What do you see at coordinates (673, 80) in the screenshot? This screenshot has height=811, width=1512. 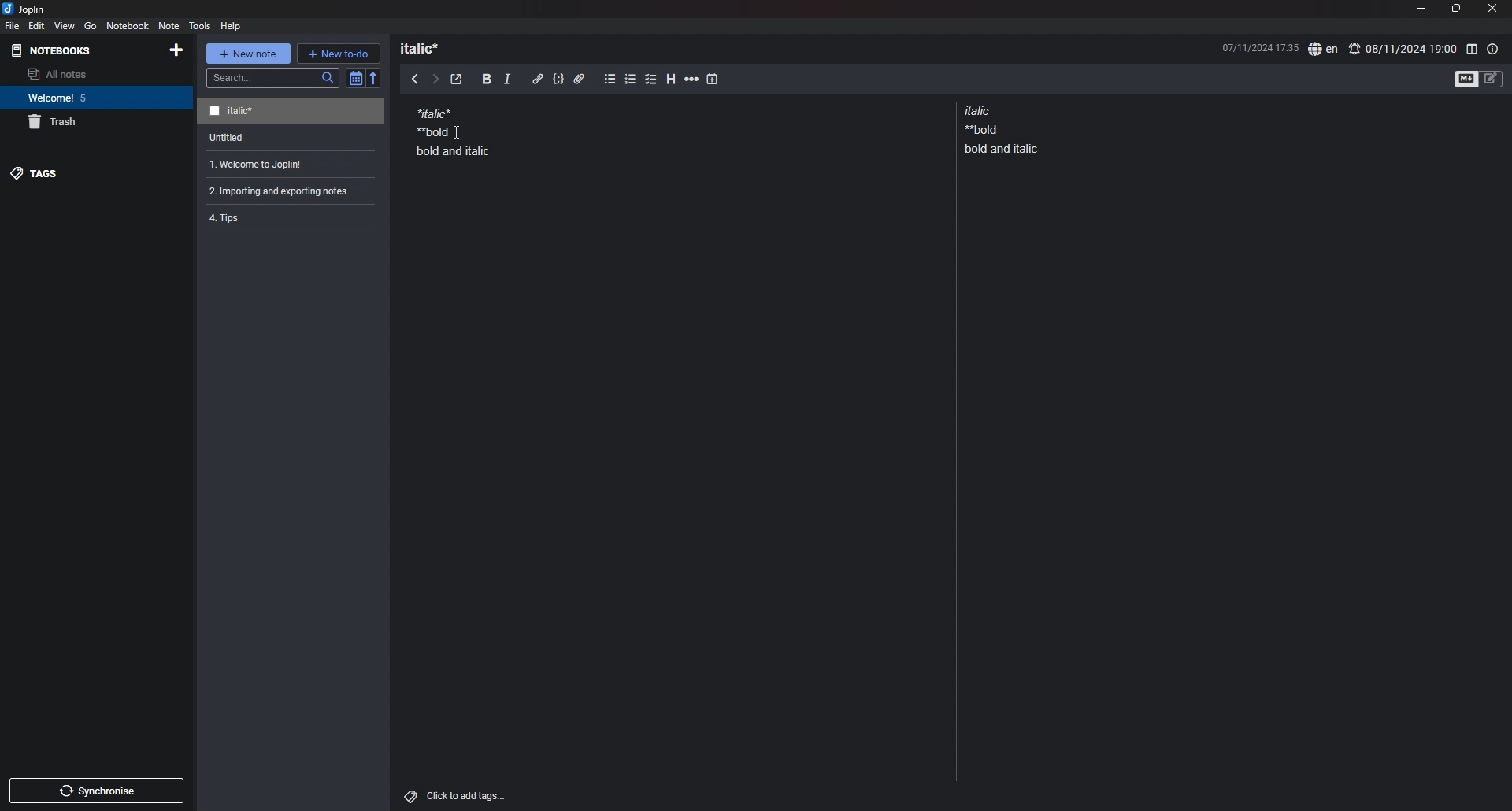 I see `heading` at bounding box center [673, 80].